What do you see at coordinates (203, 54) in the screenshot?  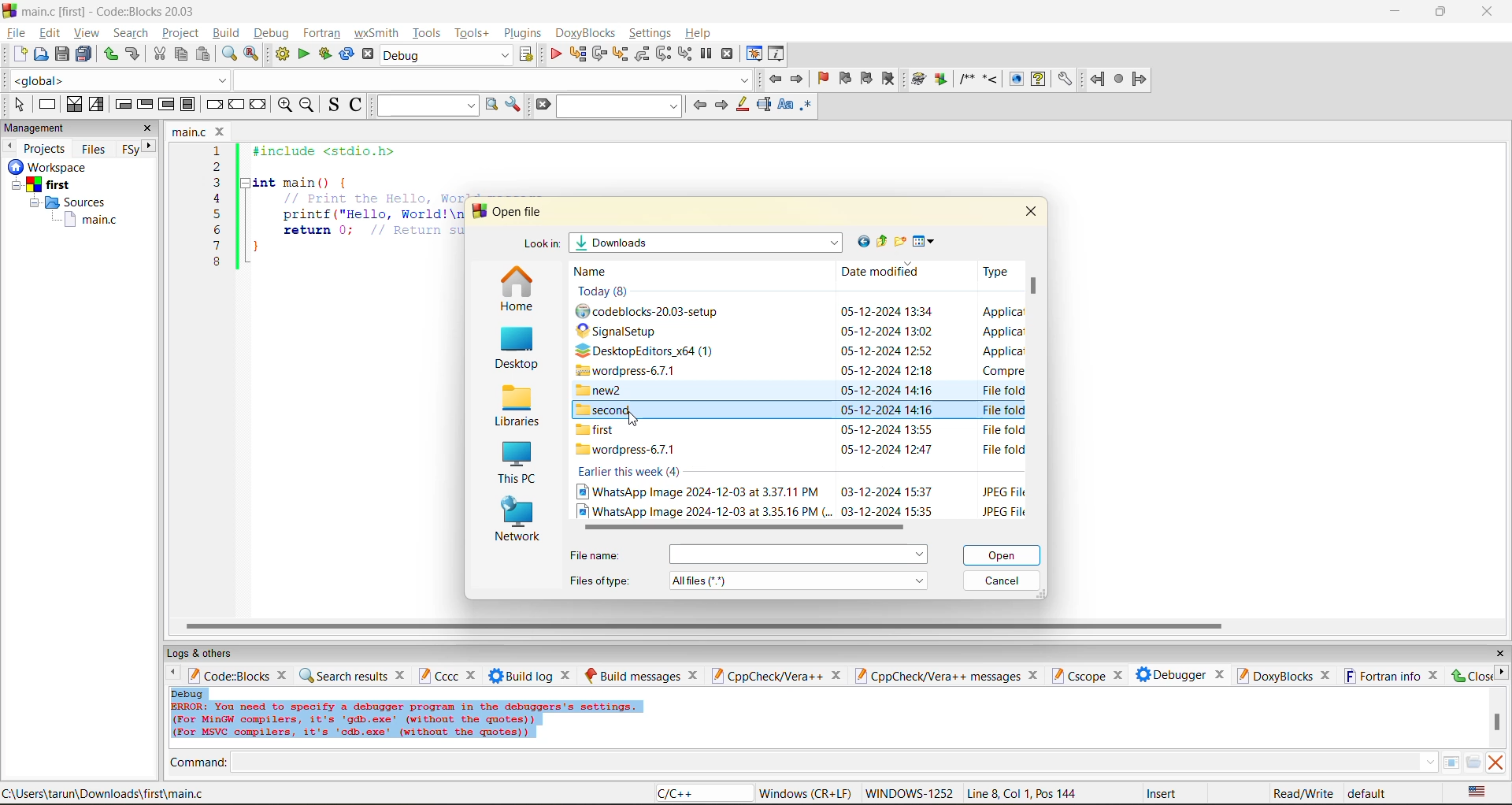 I see `paste` at bounding box center [203, 54].